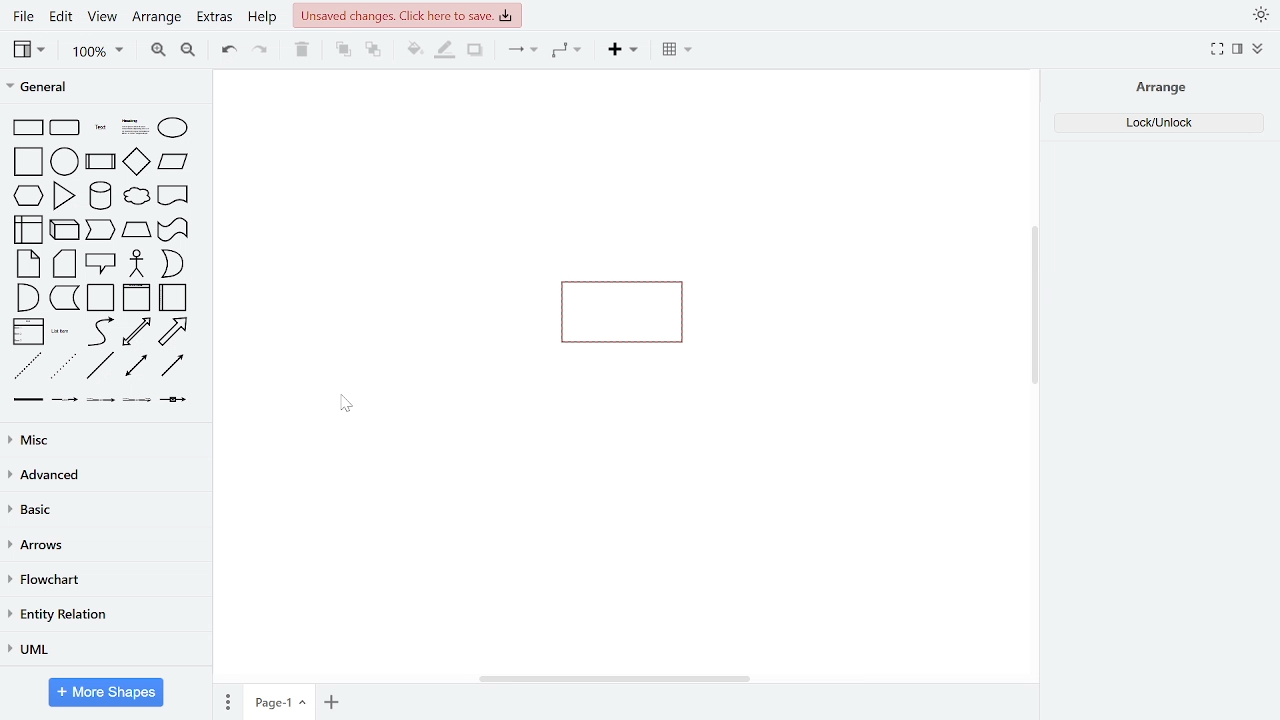 Image resolution: width=1280 pixels, height=720 pixels. What do you see at coordinates (26, 128) in the screenshot?
I see `rectangle` at bounding box center [26, 128].